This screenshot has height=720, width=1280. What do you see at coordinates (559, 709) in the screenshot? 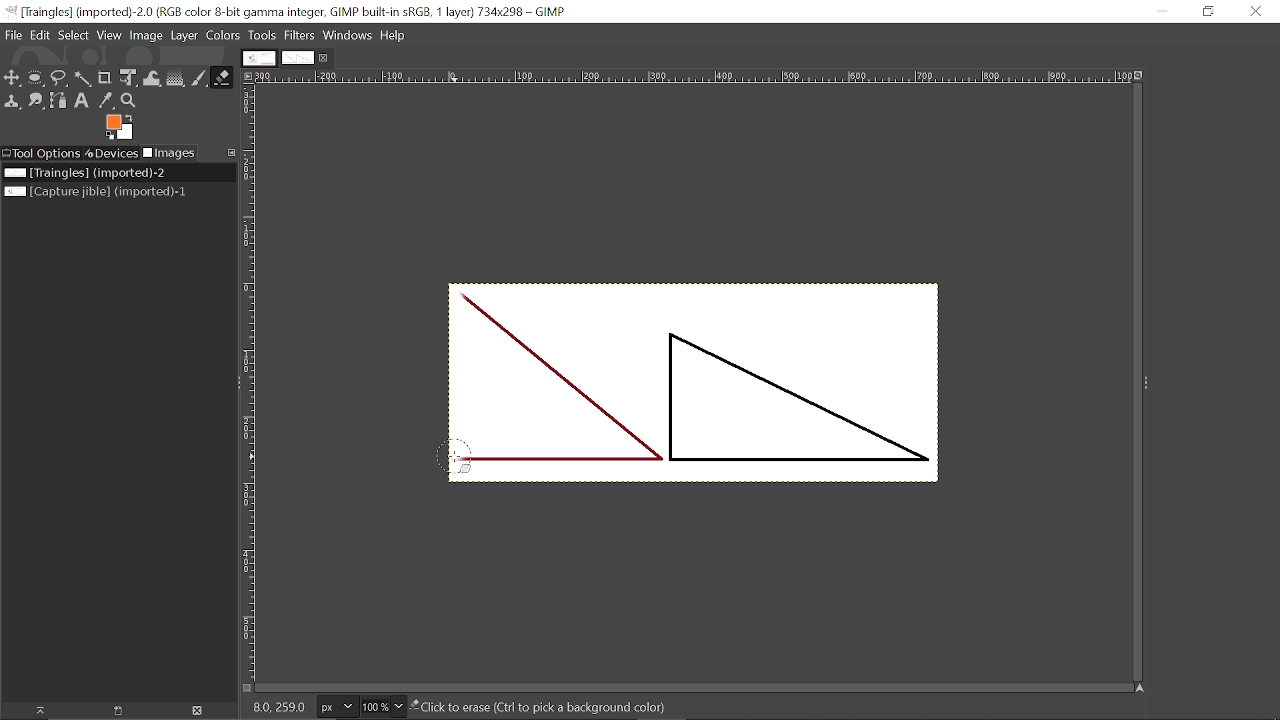
I see `click to erase (Ctrl to pick a background color)` at bounding box center [559, 709].